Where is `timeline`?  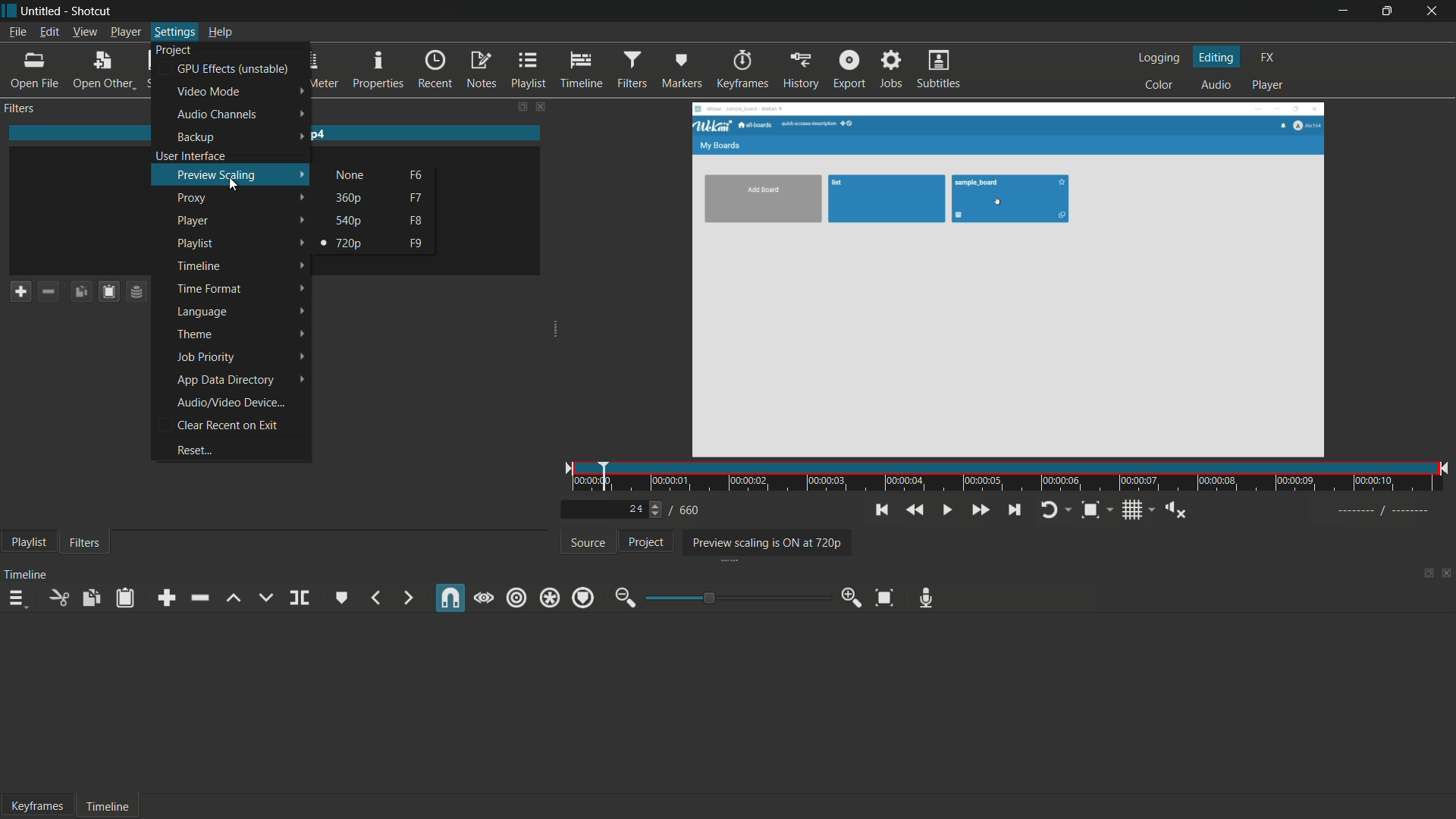
timeline is located at coordinates (198, 266).